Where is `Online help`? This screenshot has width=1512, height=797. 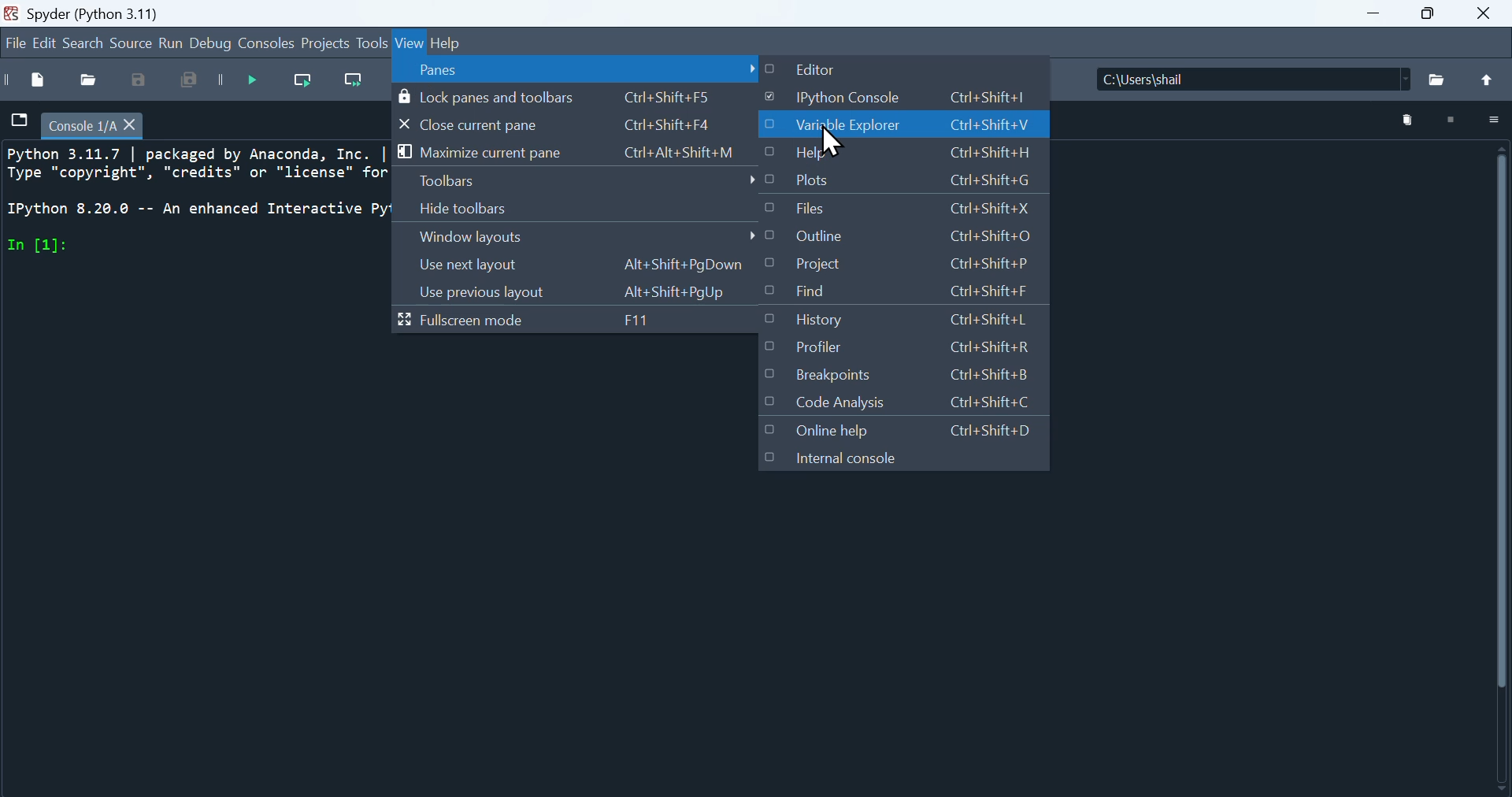 Online help is located at coordinates (903, 429).